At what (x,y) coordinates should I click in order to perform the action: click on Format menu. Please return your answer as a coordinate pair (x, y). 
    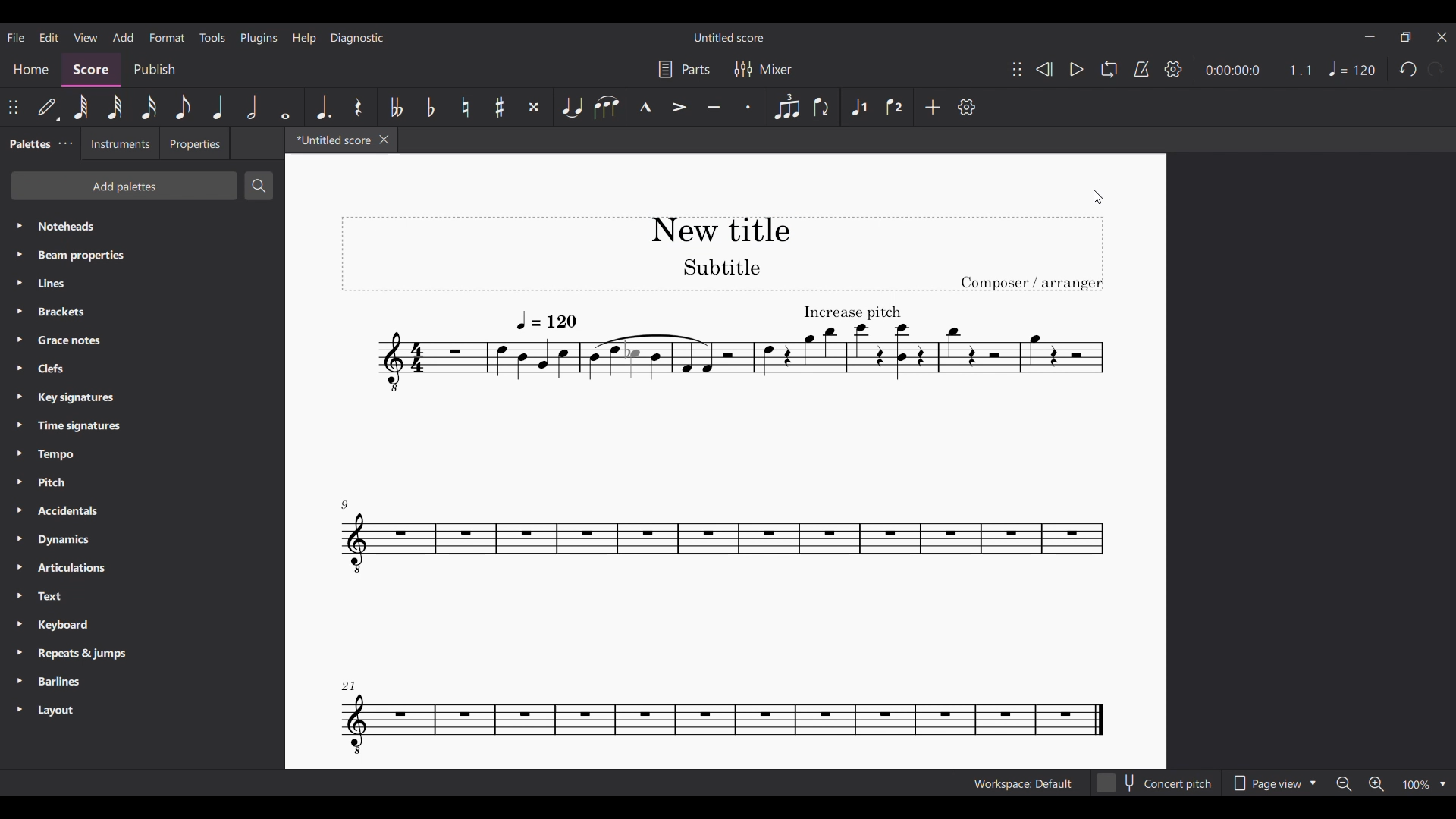
    Looking at the image, I should click on (167, 38).